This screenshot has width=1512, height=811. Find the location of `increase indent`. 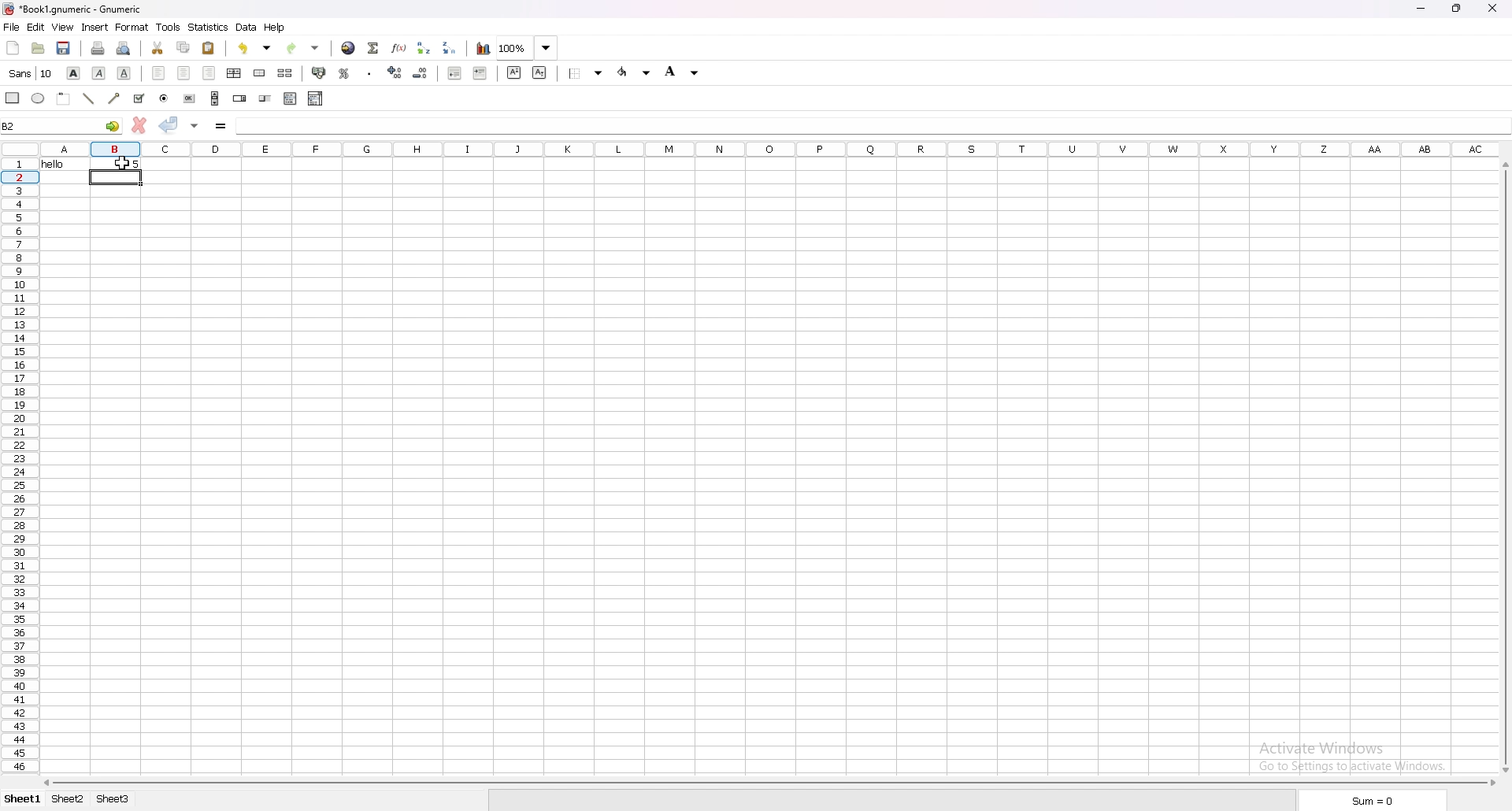

increase indent is located at coordinates (480, 73).